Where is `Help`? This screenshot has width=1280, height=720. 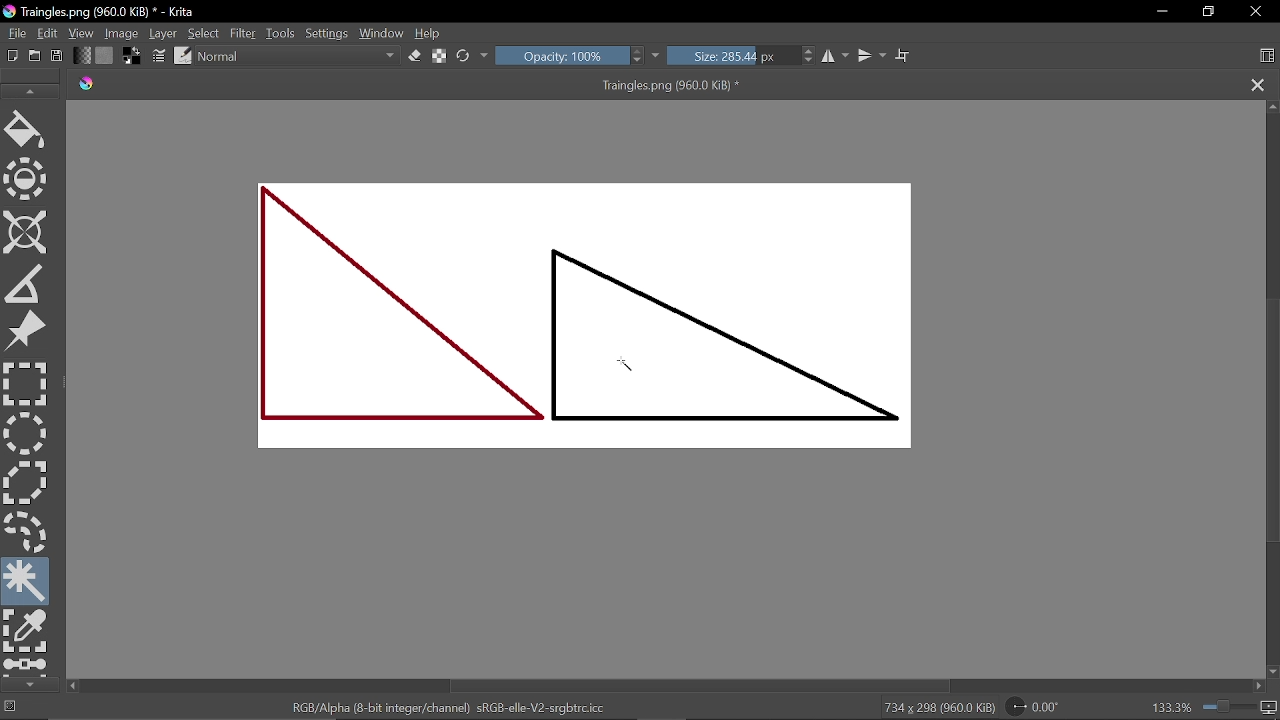
Help is located at coordinates (430, 31).